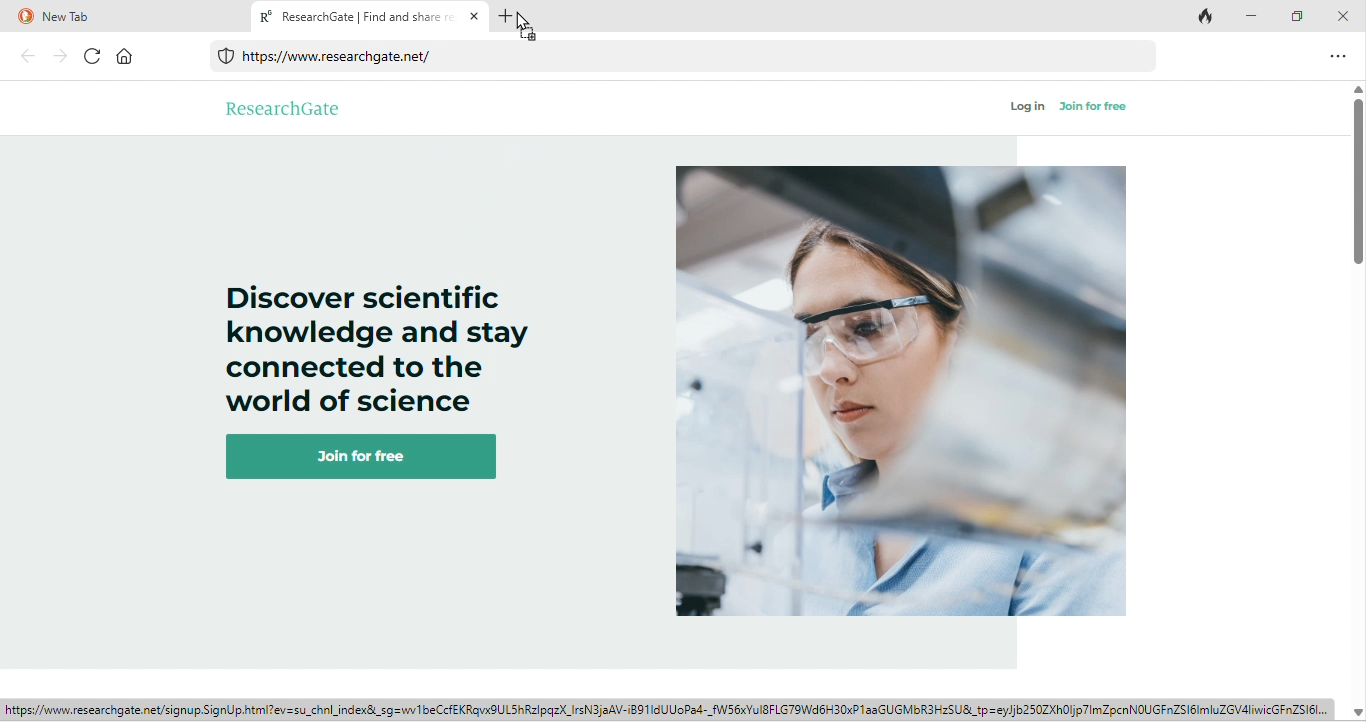 This screenshot has height=722, width=1366. Describe the element at coordinates (903, 394) in the screenshot. I see `image` at that location.